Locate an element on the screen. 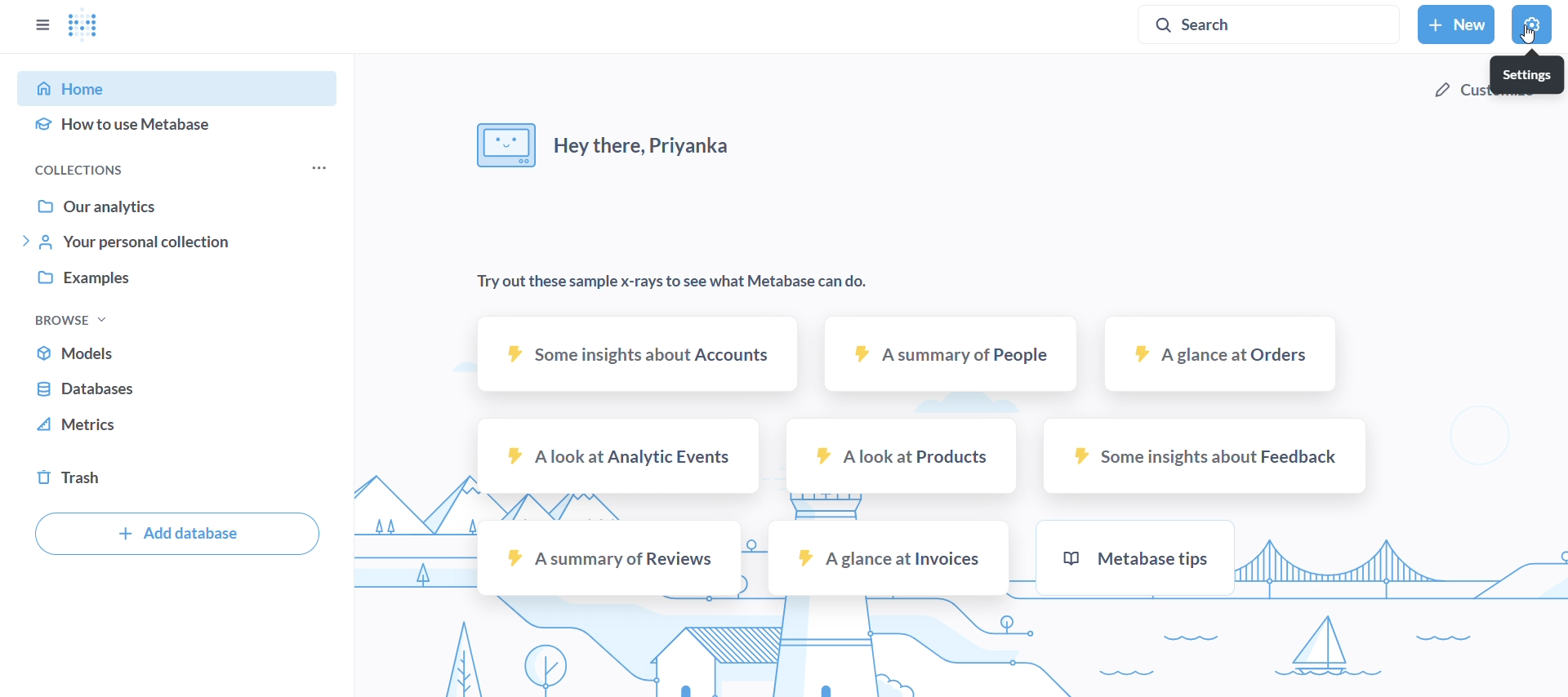 The image size is (1568, 697). collections is located at coordinates (124, 168).